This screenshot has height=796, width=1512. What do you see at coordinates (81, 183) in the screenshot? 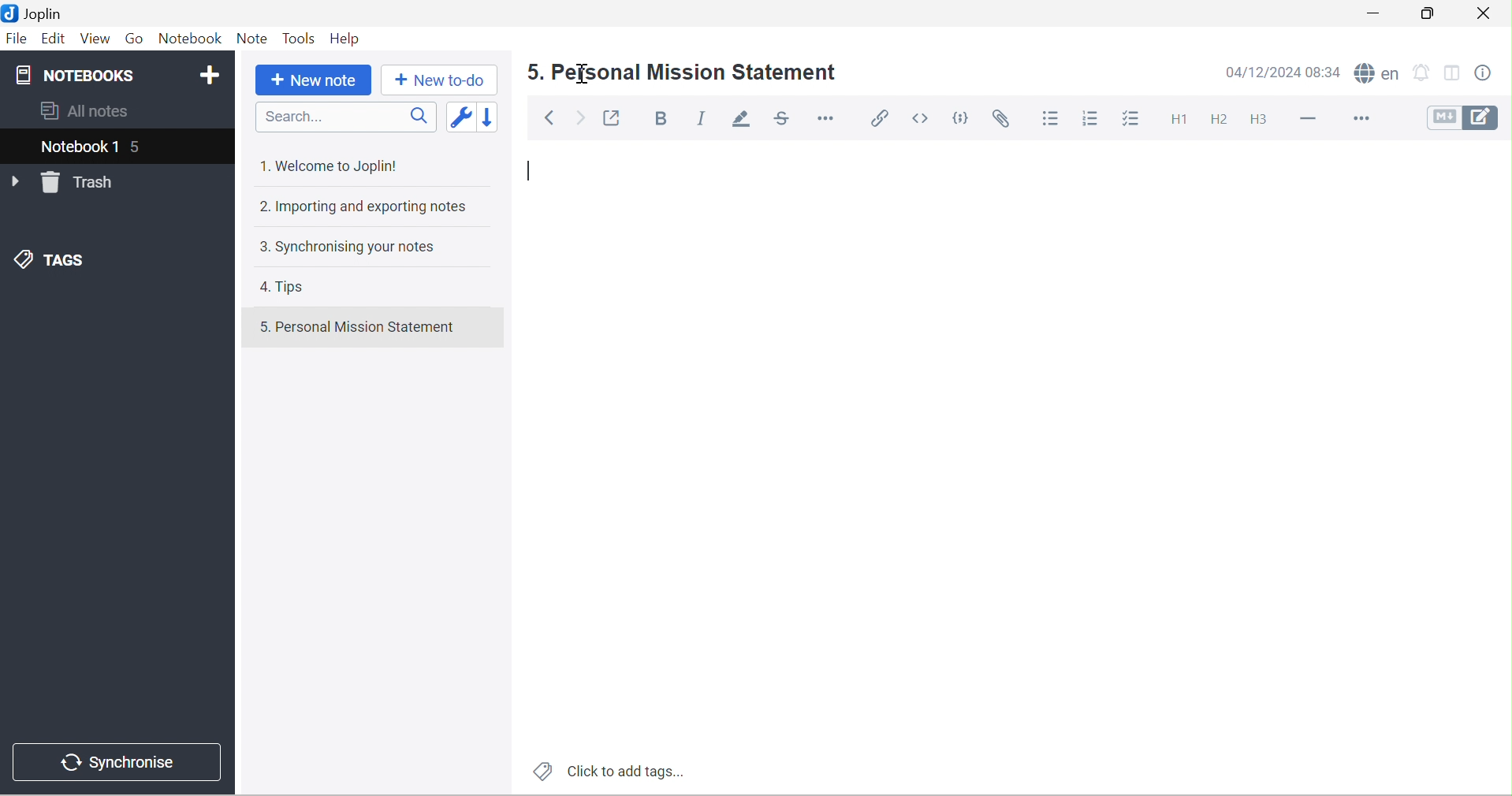
I see `Trash` at bounding box center [81, 183].